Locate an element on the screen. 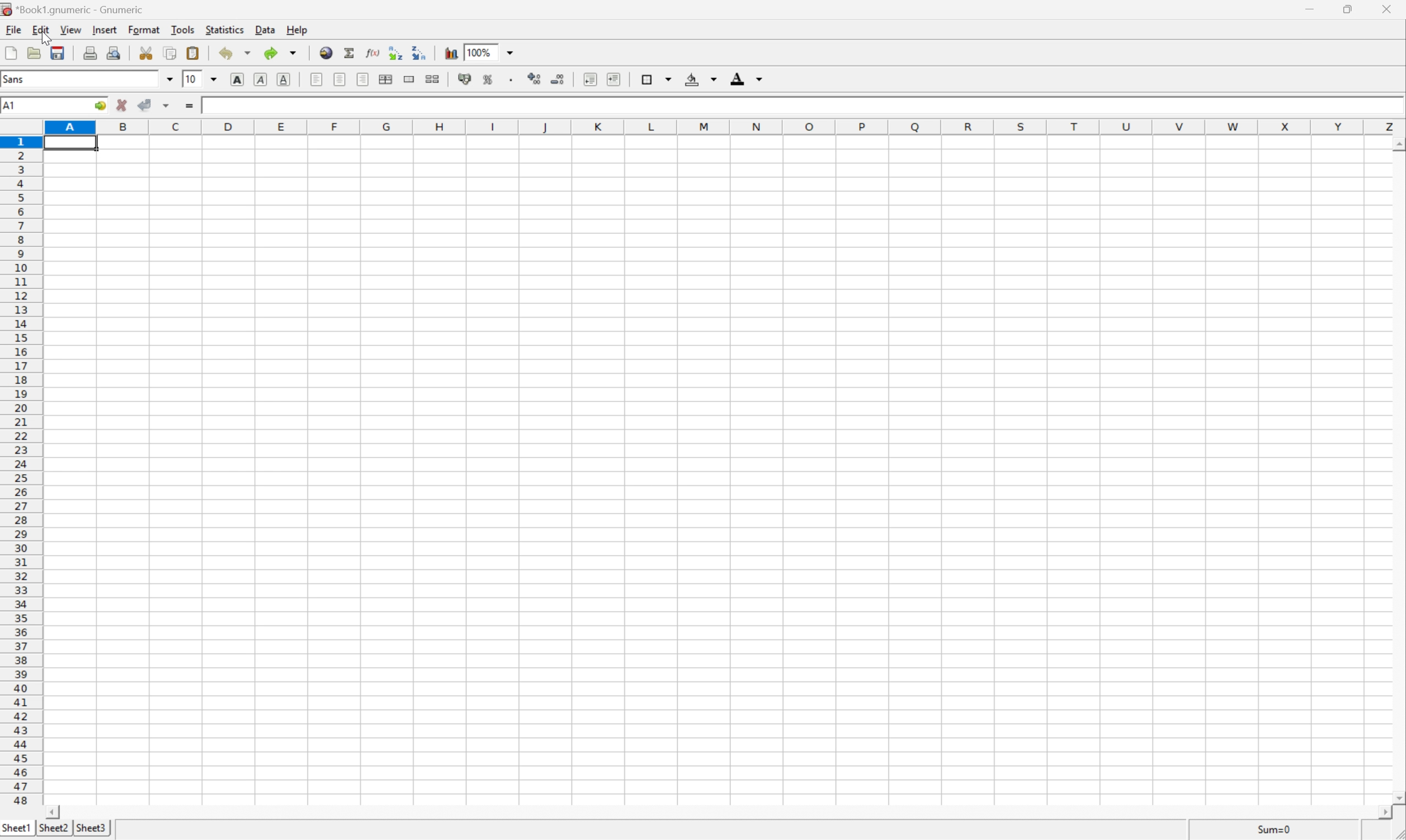  go to is located at coordinates (100, 106).